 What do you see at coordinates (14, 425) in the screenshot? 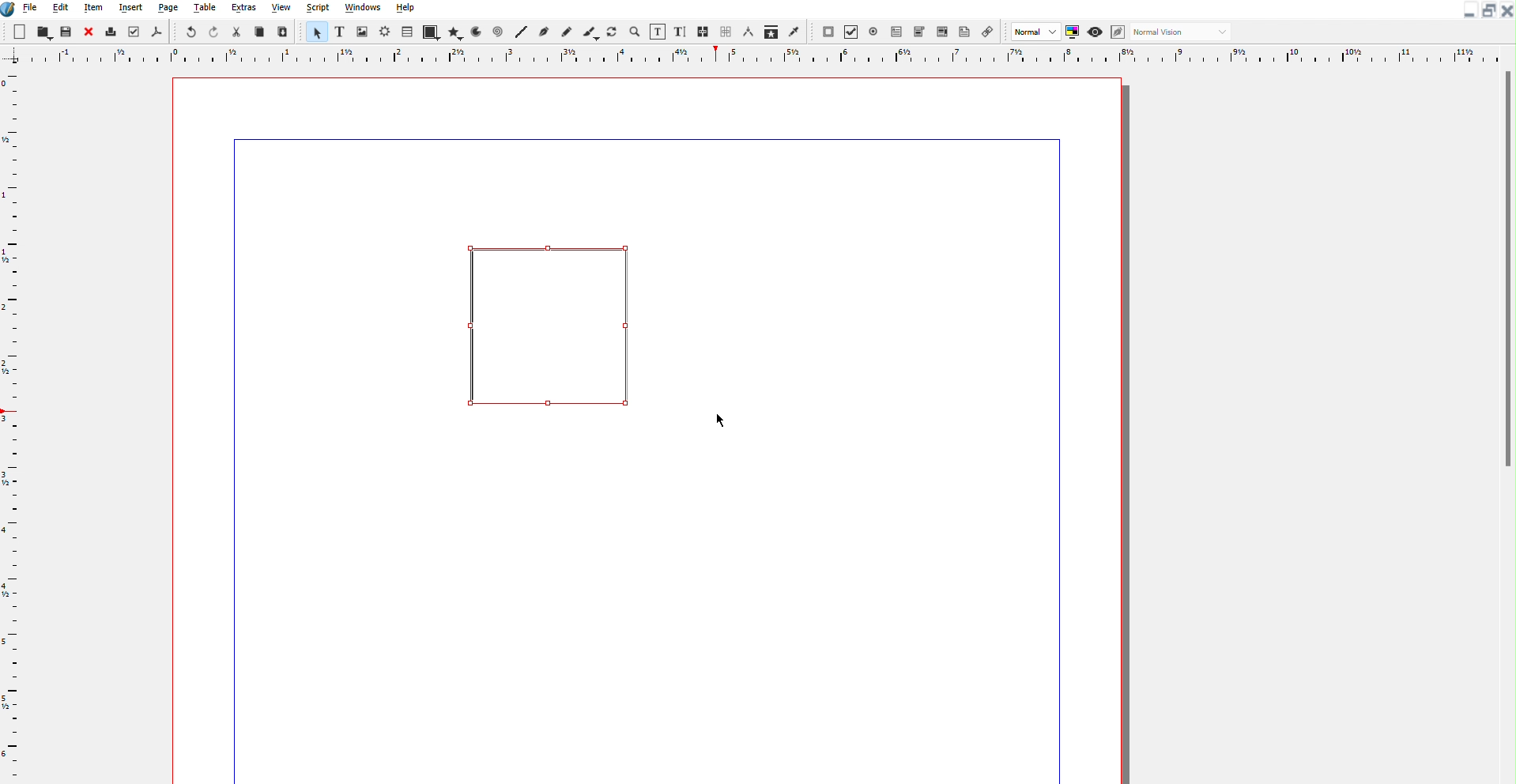
I see `Vertical Ruler` at bounding box center [14, 425].